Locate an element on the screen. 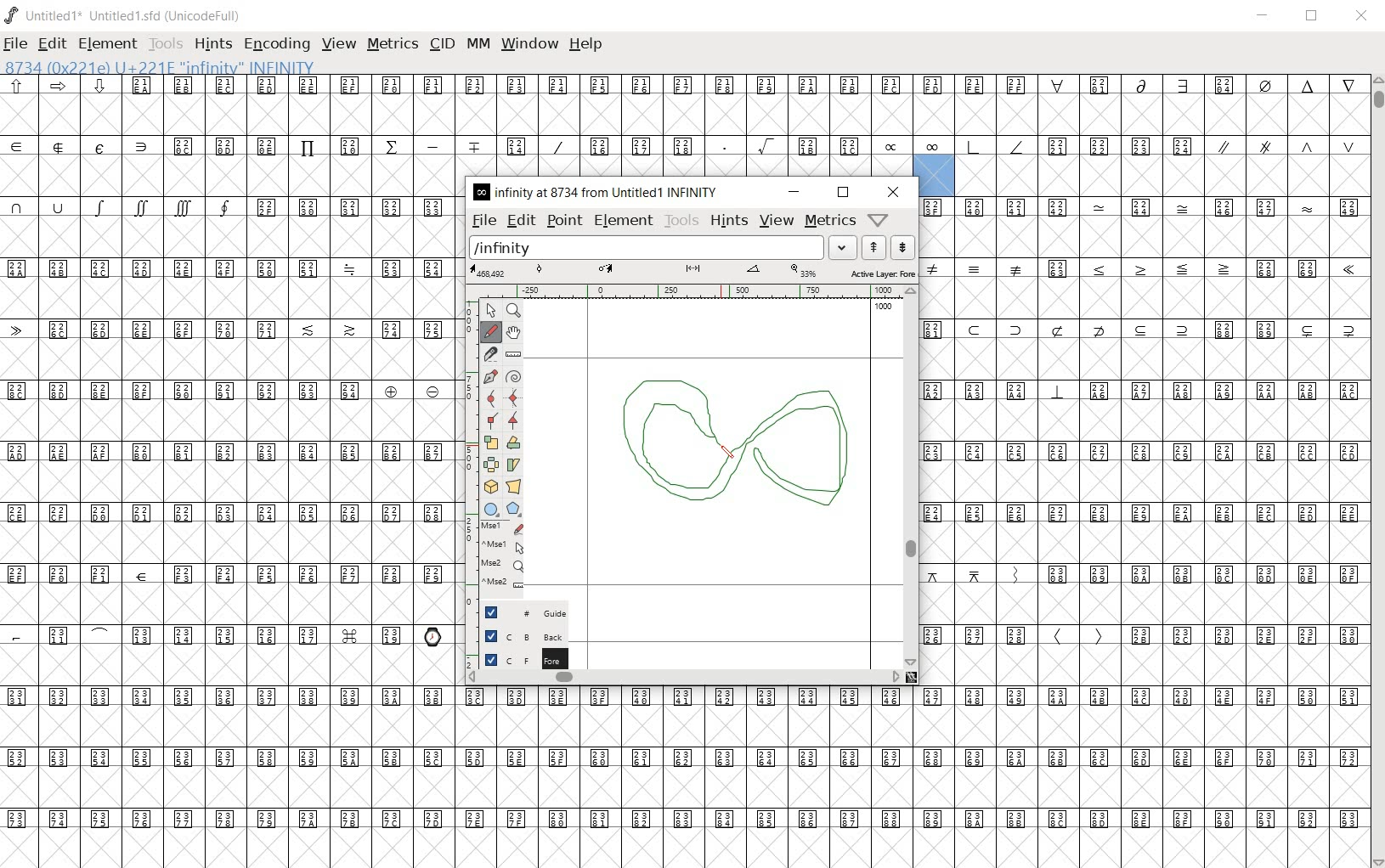 This screenshot has width=1385, height=868. flip the selection is located at coordinates (490, 464).